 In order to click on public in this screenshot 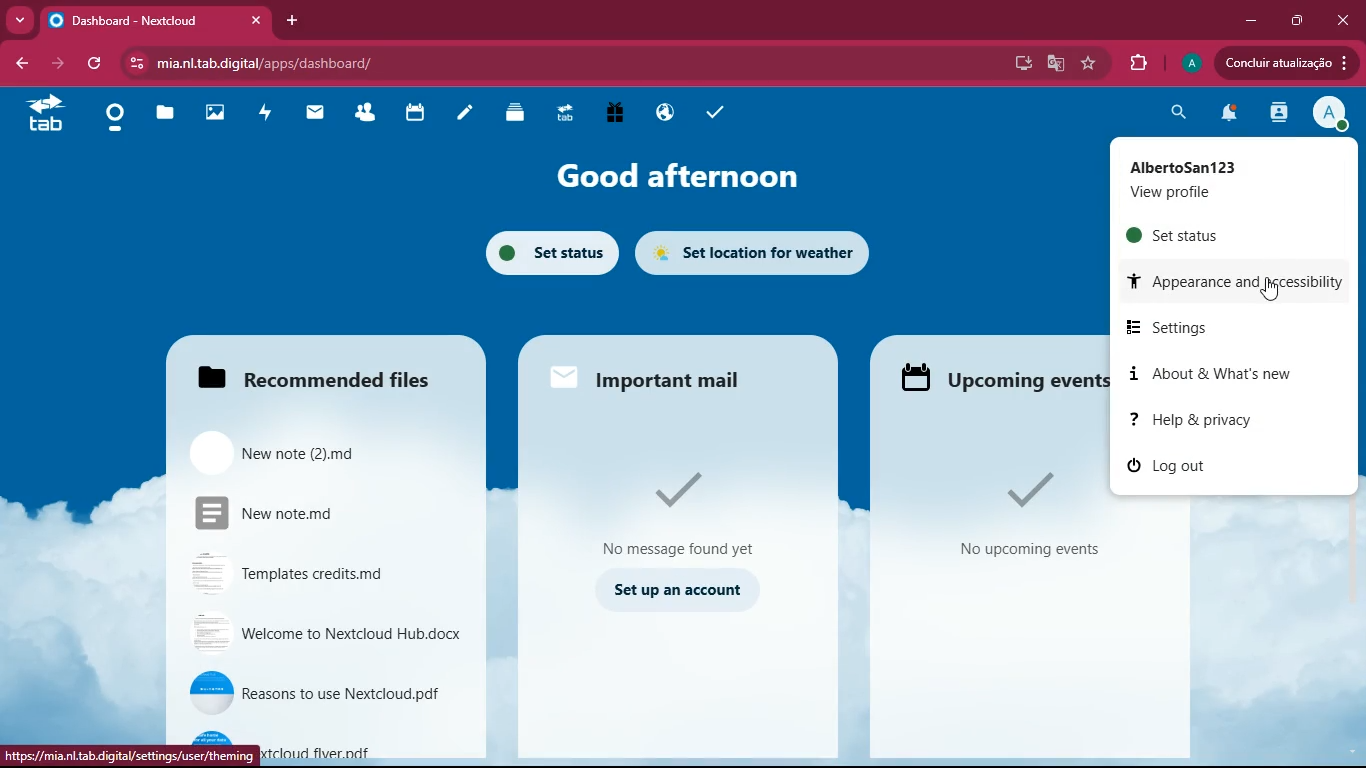, I will do `click(665, 110)`.